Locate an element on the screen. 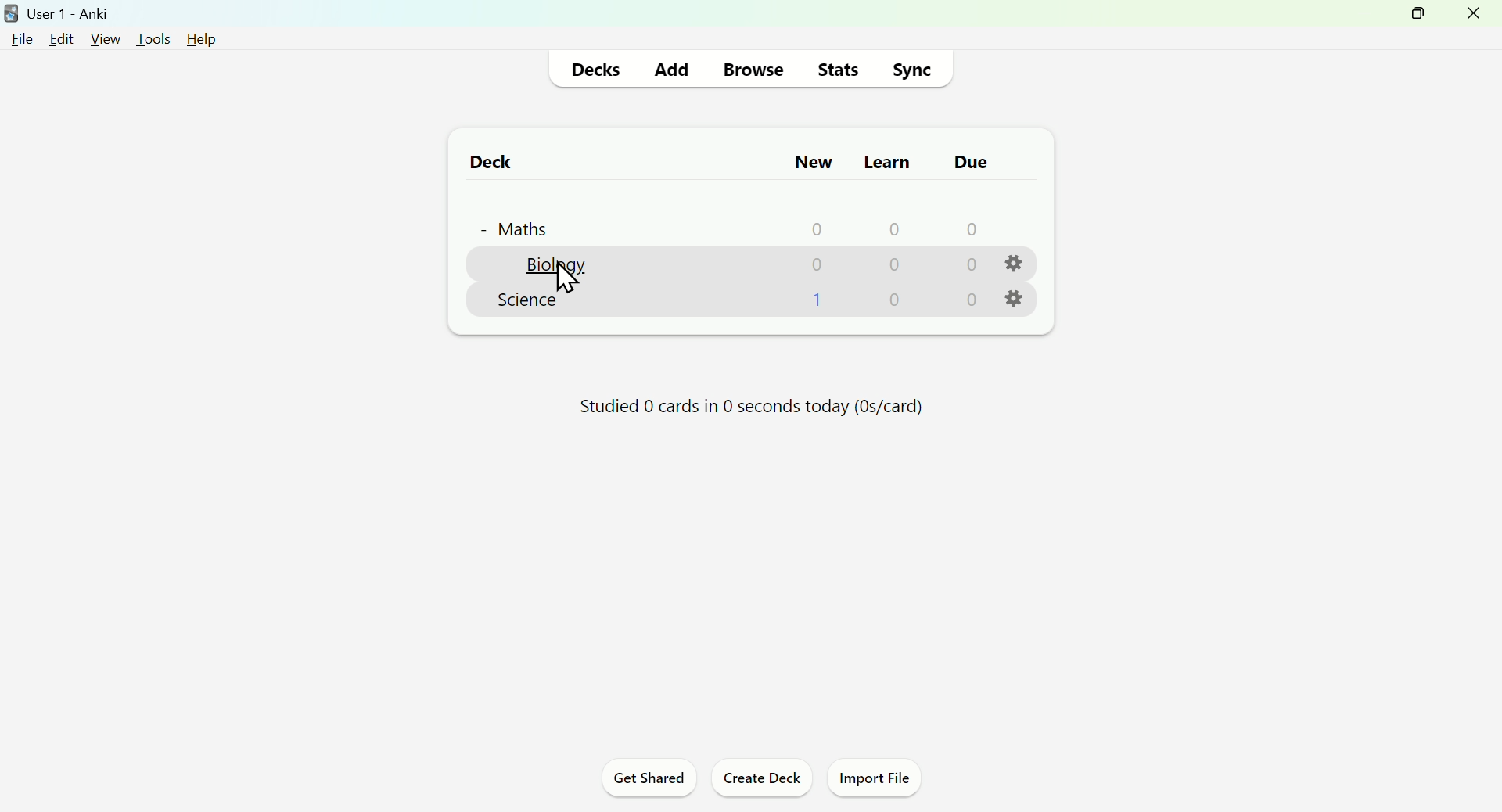  minimize is located at coordinates (1367, 16).